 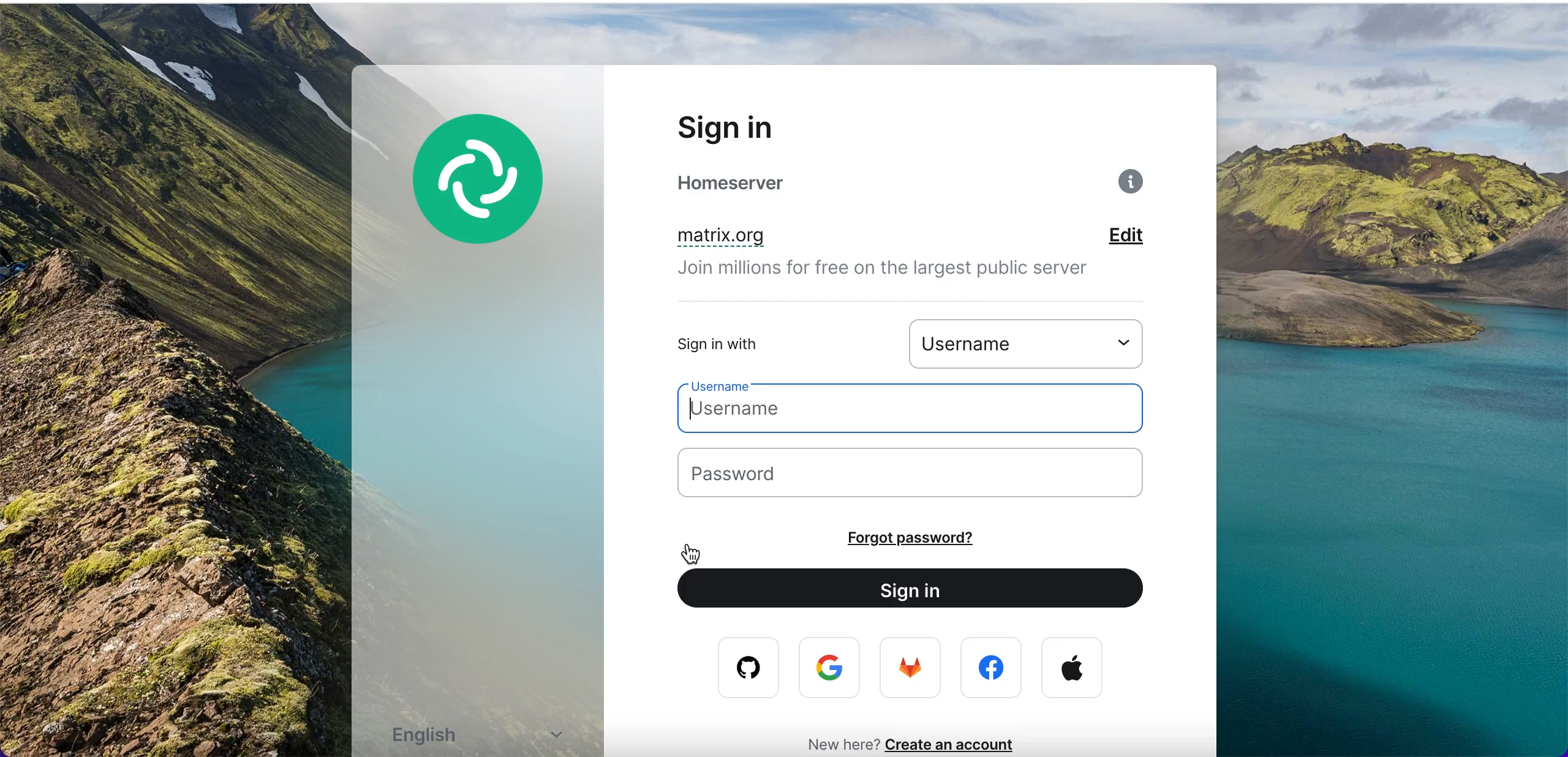 I want to click on sign in with, so click(x=756, y=344).